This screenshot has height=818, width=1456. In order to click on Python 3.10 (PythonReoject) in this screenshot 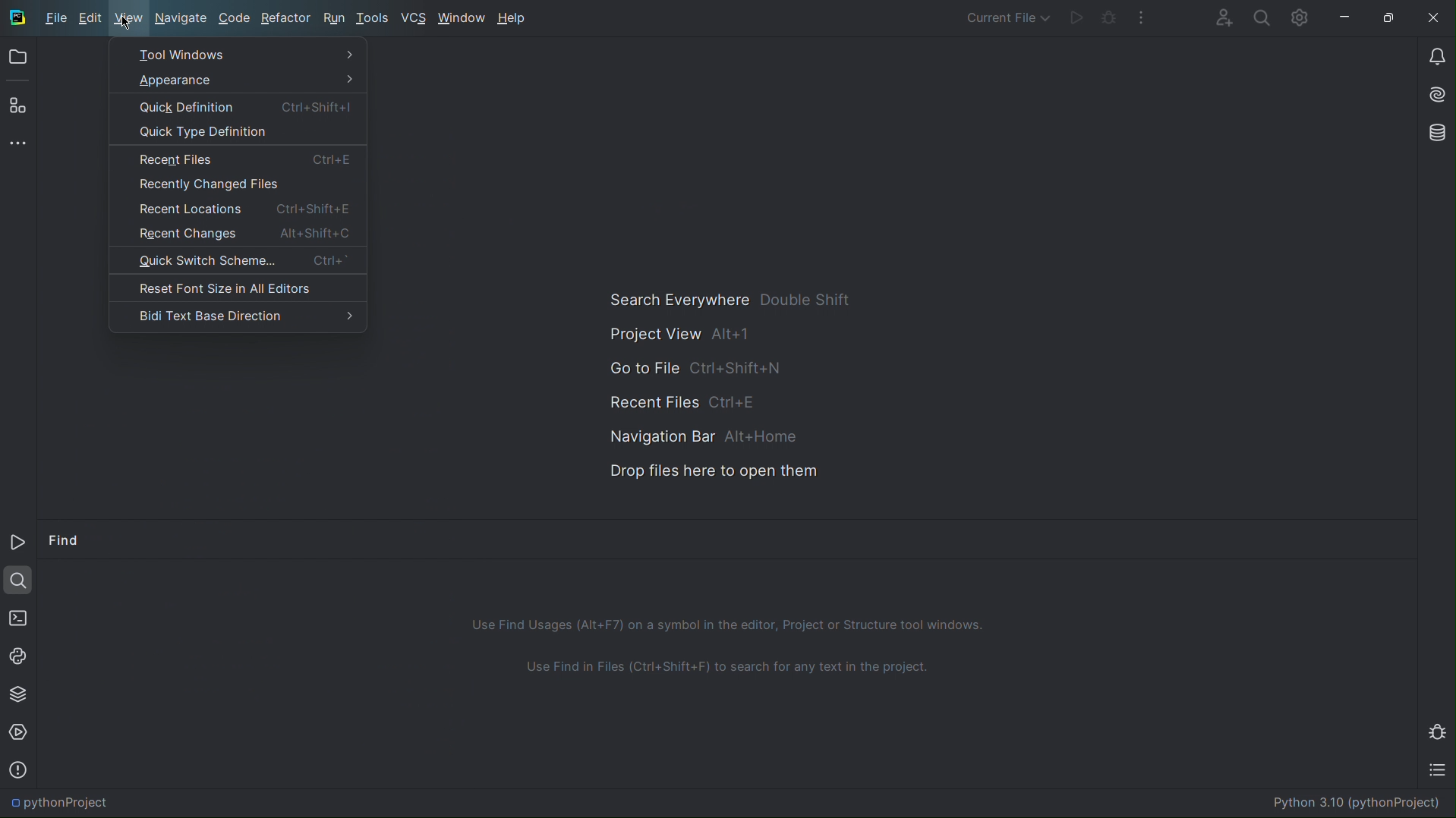, I will do `click(1354, 802)`.